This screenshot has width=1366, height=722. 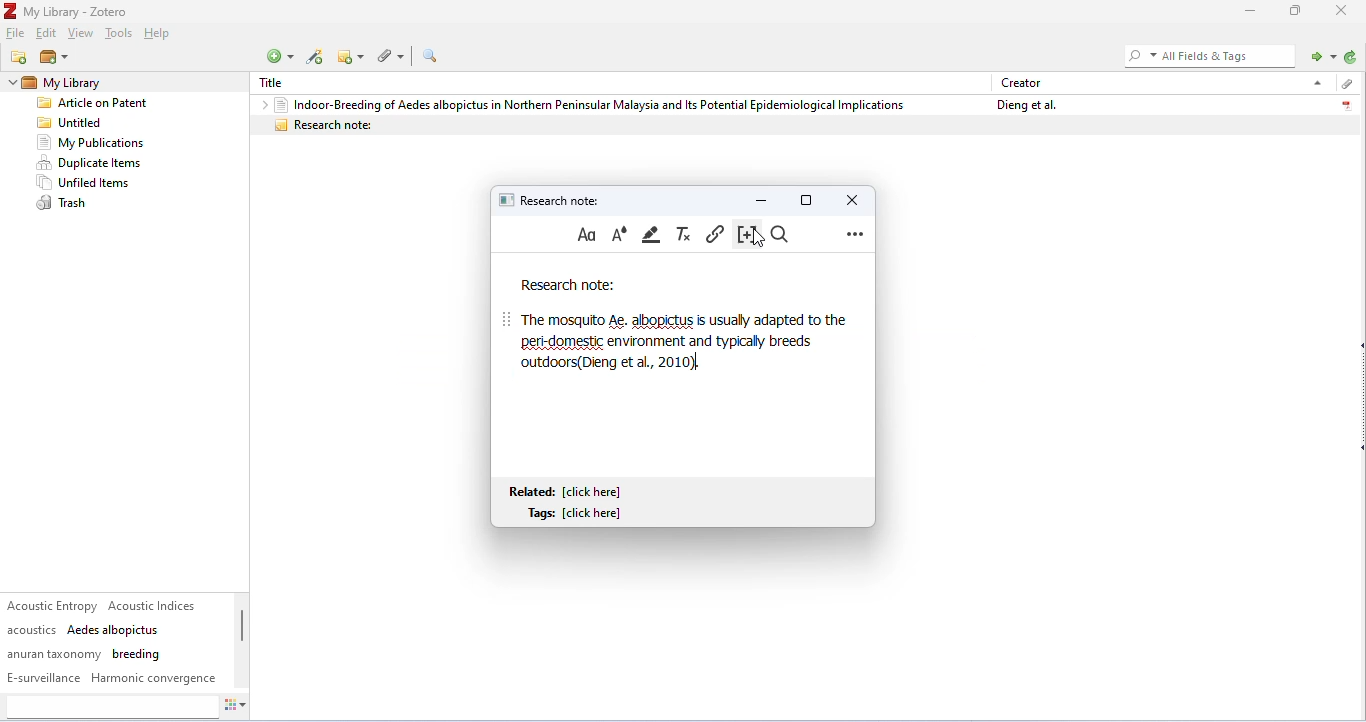 What do you see at coordinates (53, 58) in the screenshot?
I see `new library` at bounding box center [53, 58].